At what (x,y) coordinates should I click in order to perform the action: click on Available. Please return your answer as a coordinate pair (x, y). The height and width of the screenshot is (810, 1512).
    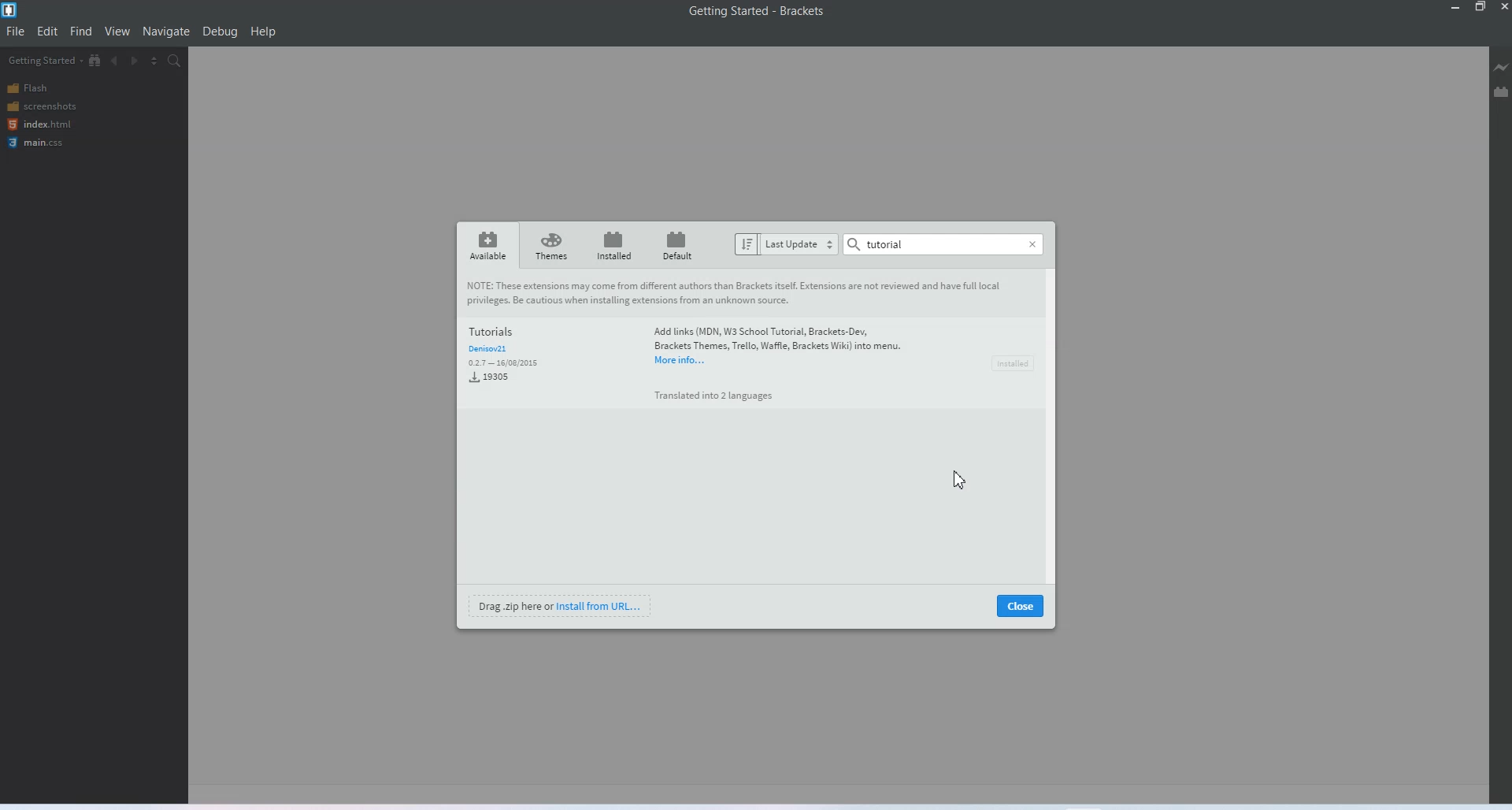
    Looking at the image, I should click on (487, 244).